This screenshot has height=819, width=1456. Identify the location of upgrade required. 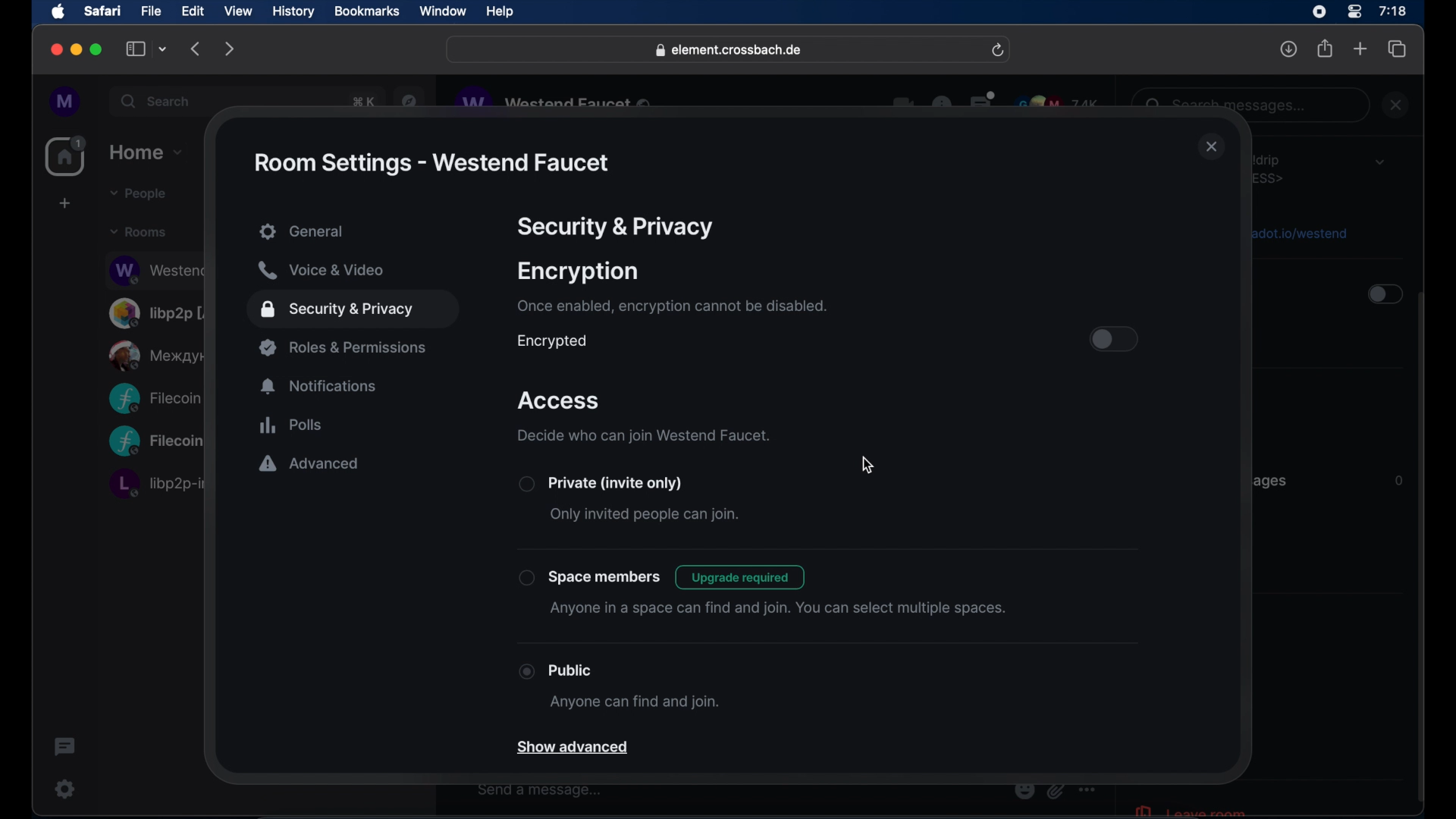
(742, 577).